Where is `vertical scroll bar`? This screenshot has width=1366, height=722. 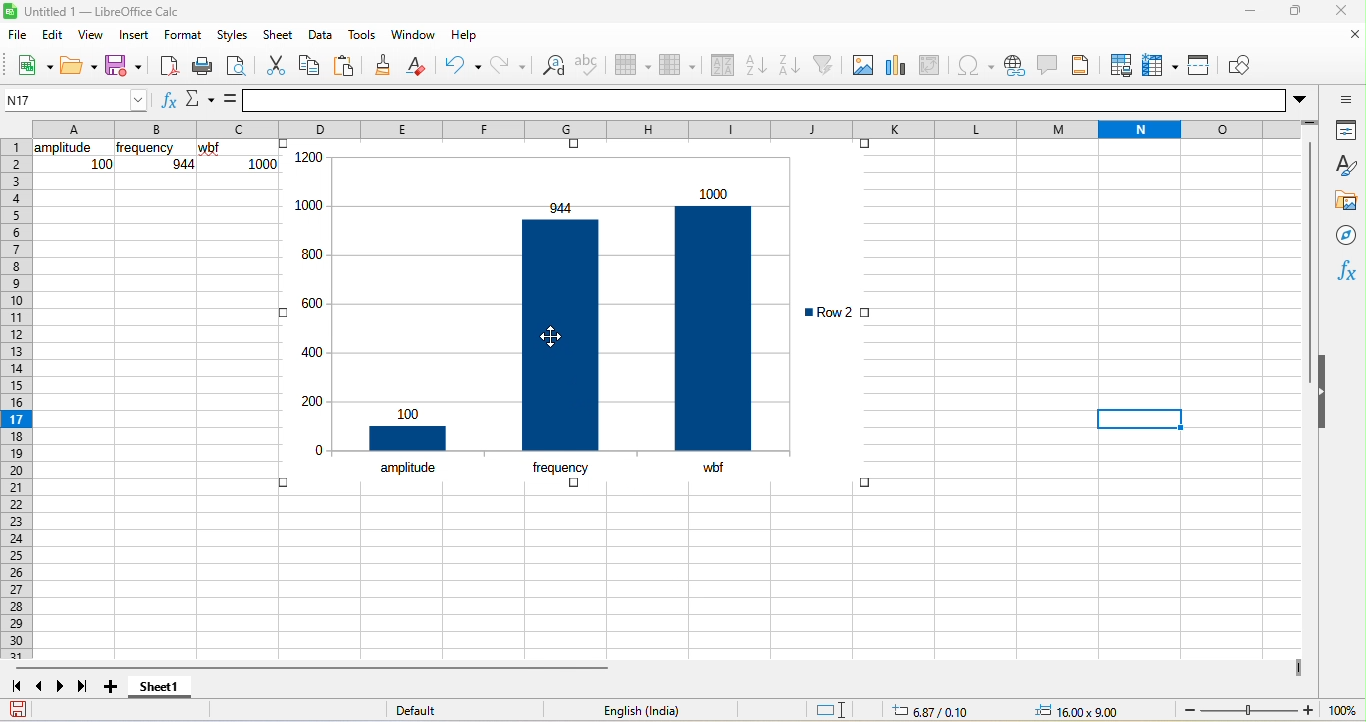
vertical scroll bar is located at coordinates (1313, 247).